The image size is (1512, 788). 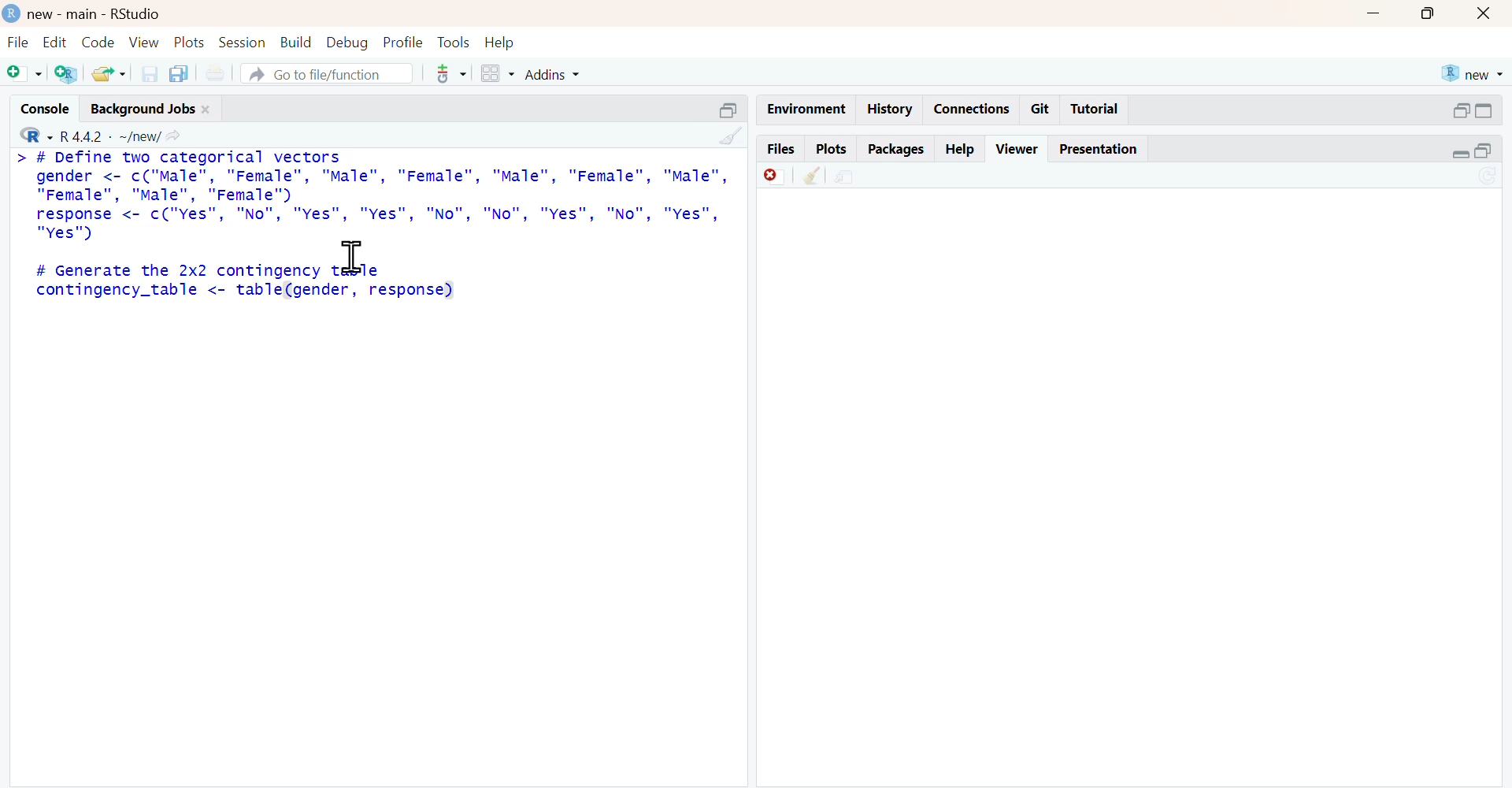 What do you see at coordinates (180, 73) in the screenshot?
I see `copy` at bounding box center [180, 73].